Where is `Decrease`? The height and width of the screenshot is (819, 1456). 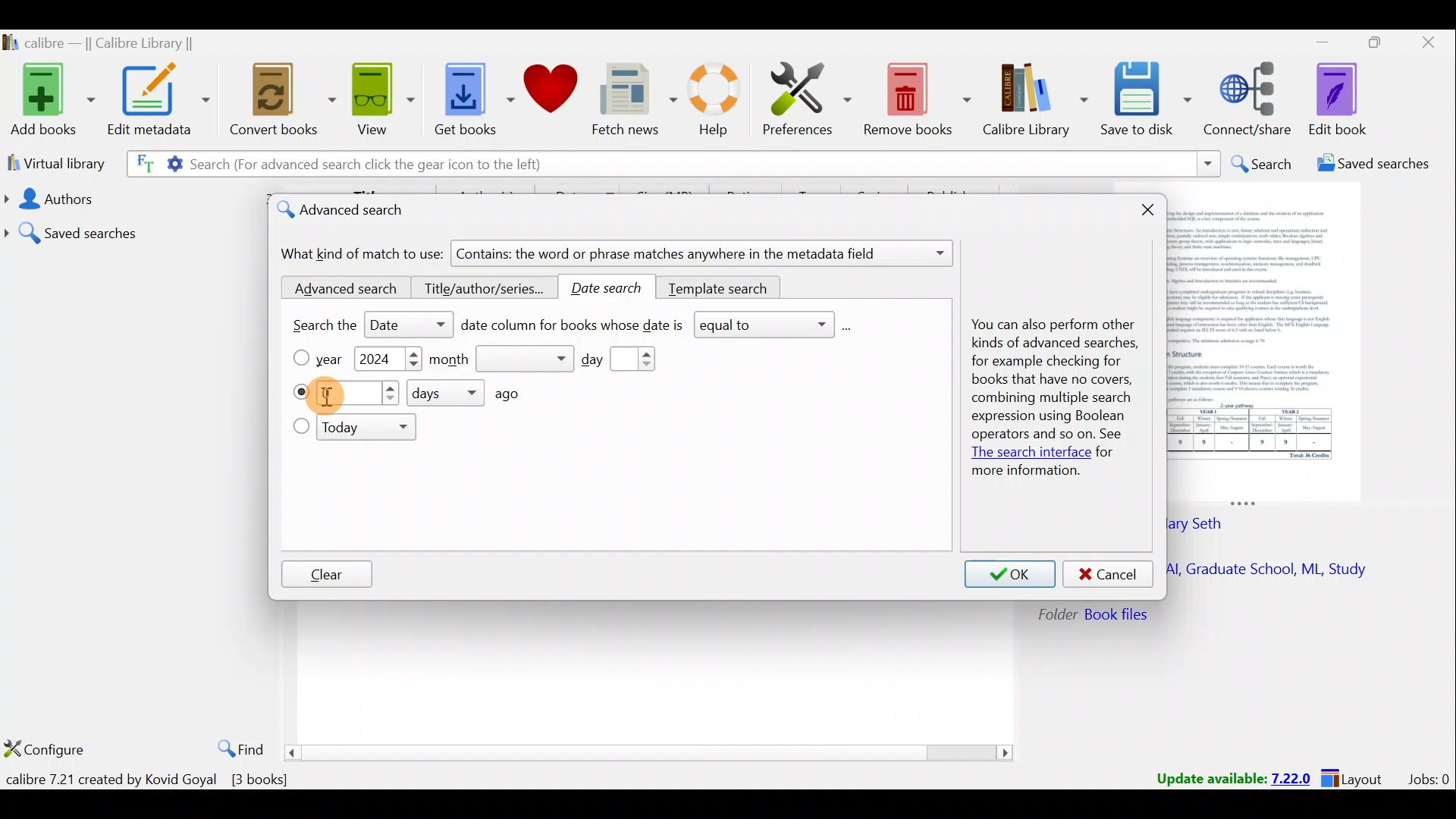 Decrease is located at coordinates (413, 367).